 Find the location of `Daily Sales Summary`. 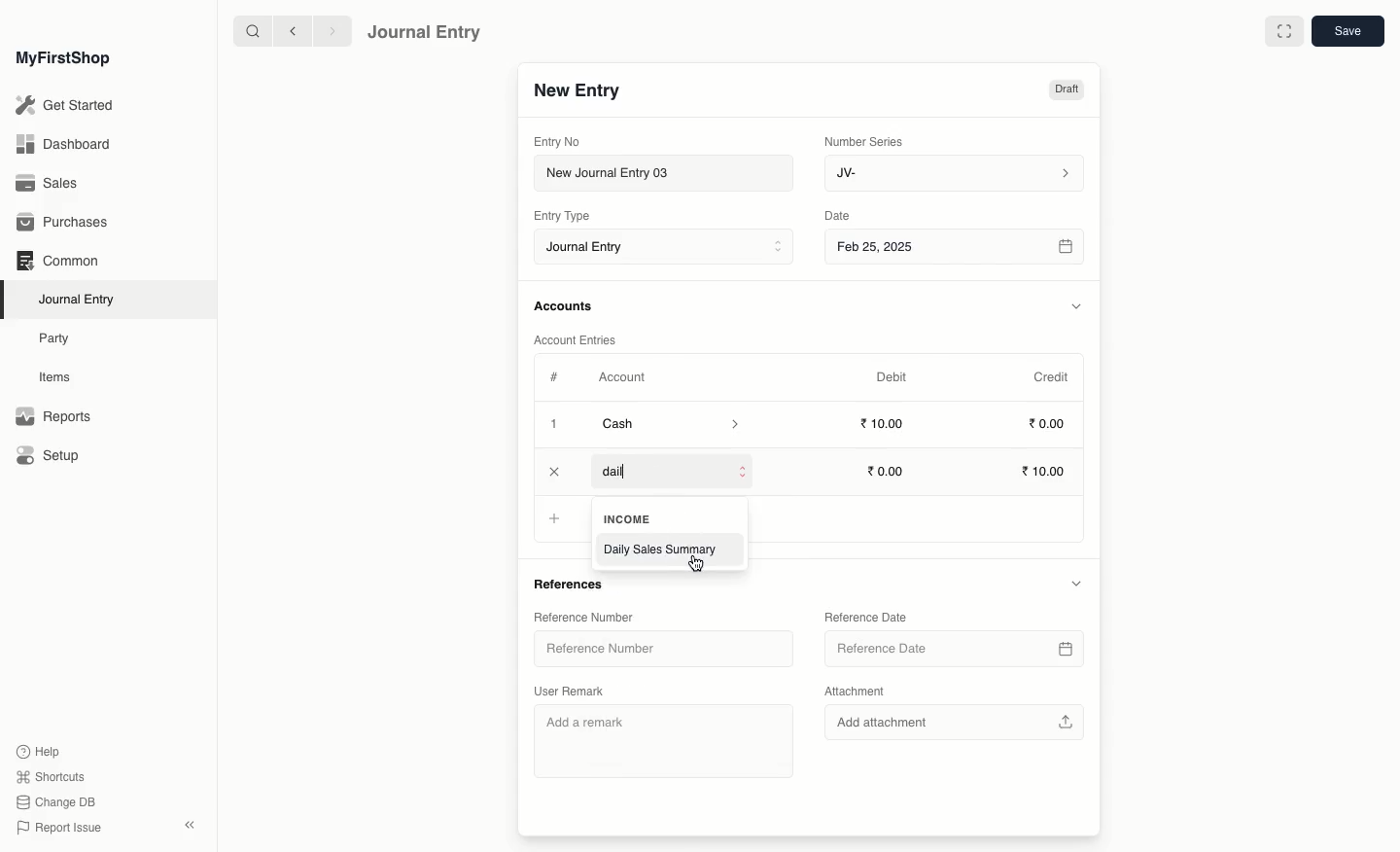

Daily Sales Summary is located at coordinates (664, 550).